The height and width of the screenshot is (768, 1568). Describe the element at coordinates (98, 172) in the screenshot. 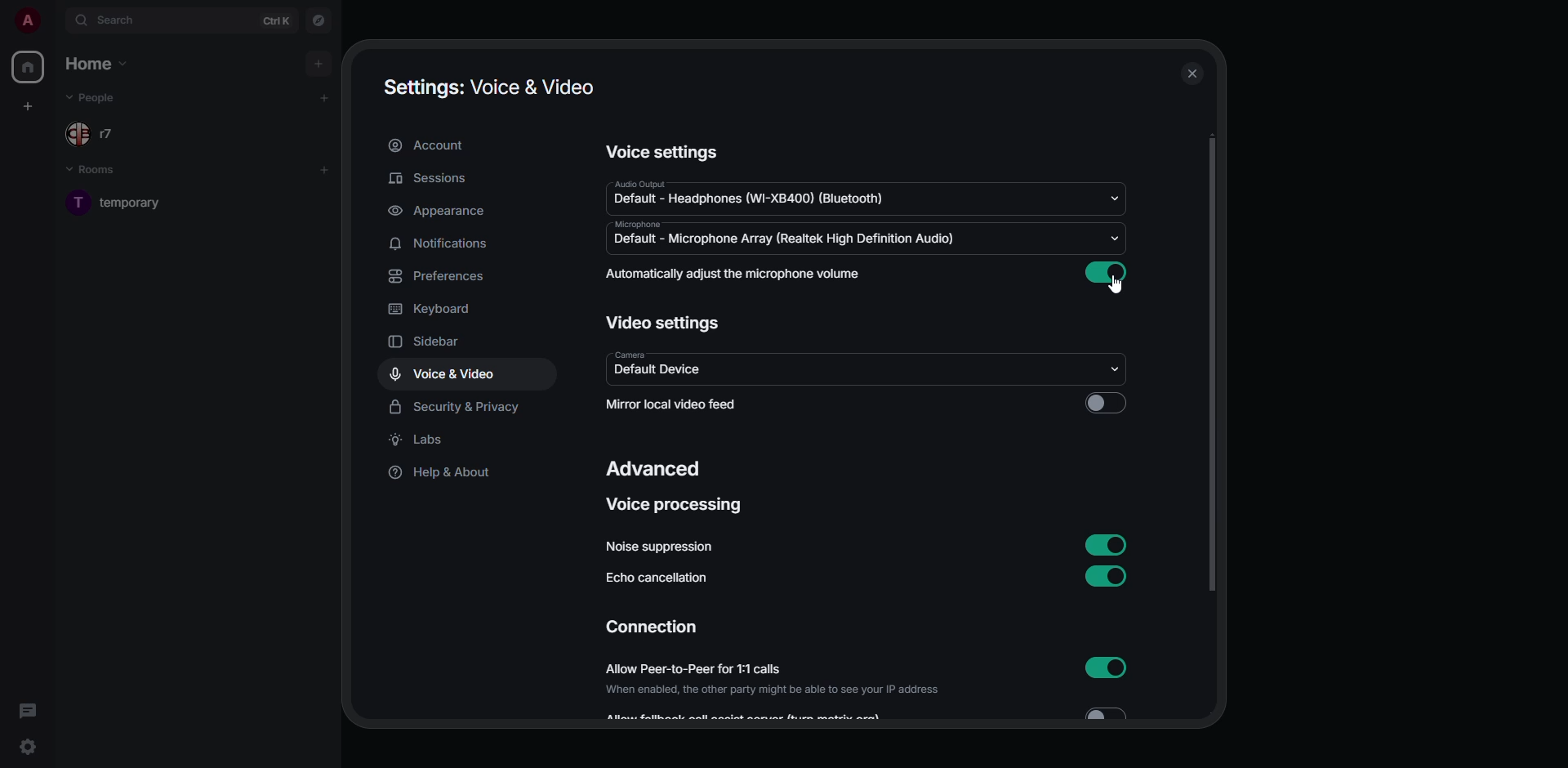

I see `rooms` at that location.